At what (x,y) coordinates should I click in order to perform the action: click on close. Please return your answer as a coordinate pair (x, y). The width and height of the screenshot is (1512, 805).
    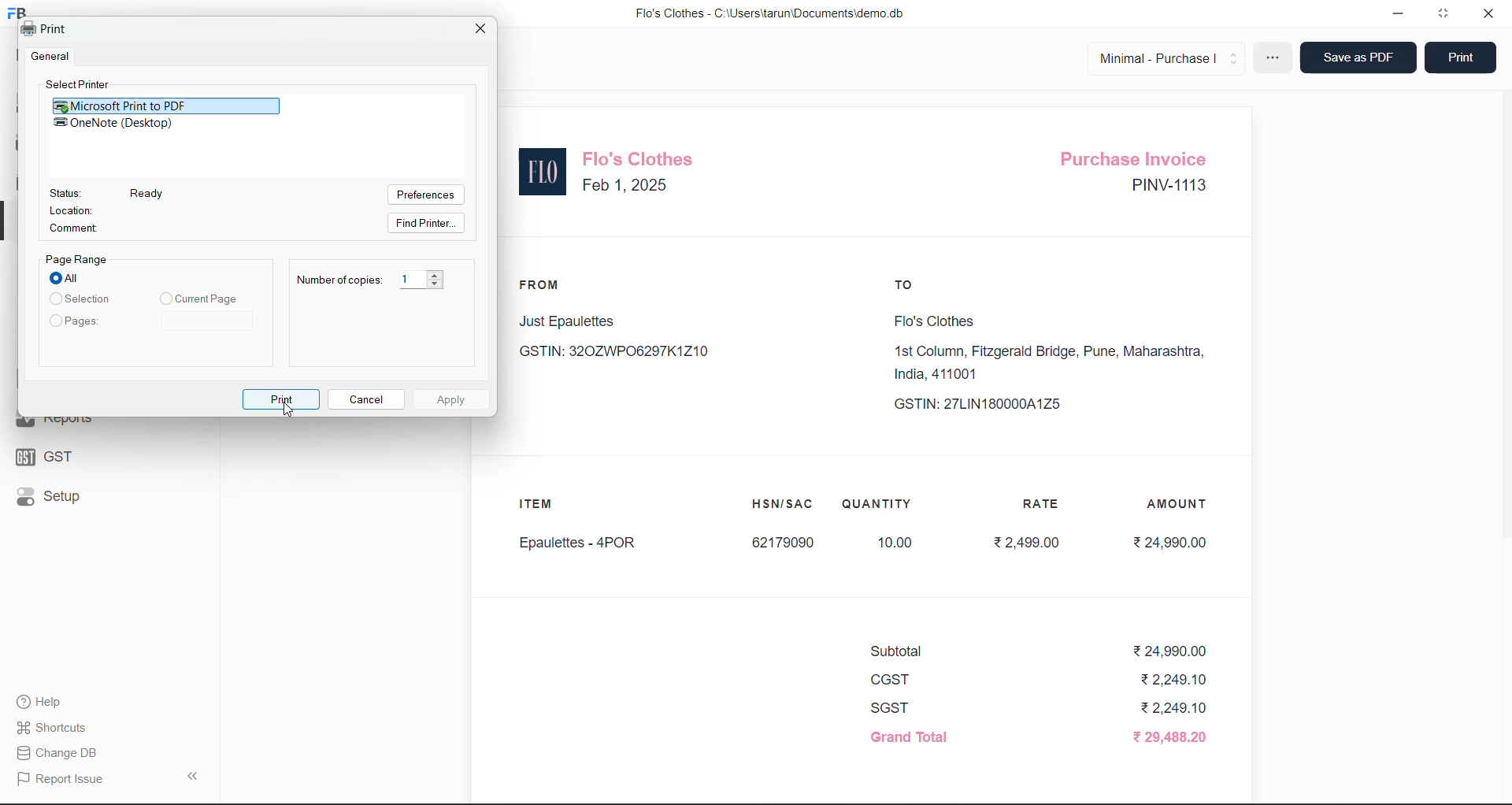
    Looking at the image, I should click on (1488, 17).